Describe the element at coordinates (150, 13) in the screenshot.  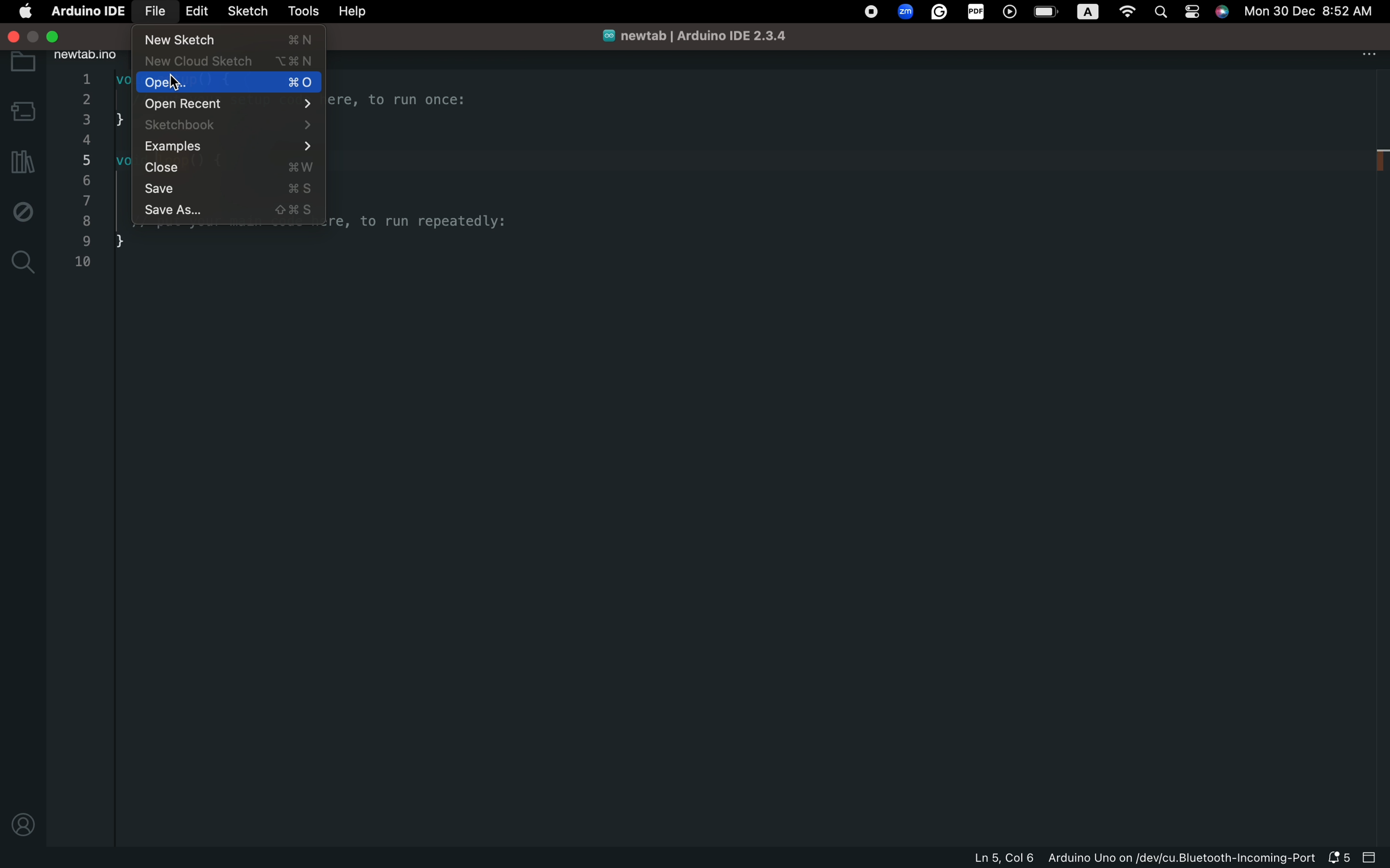
I see `file` at that location.